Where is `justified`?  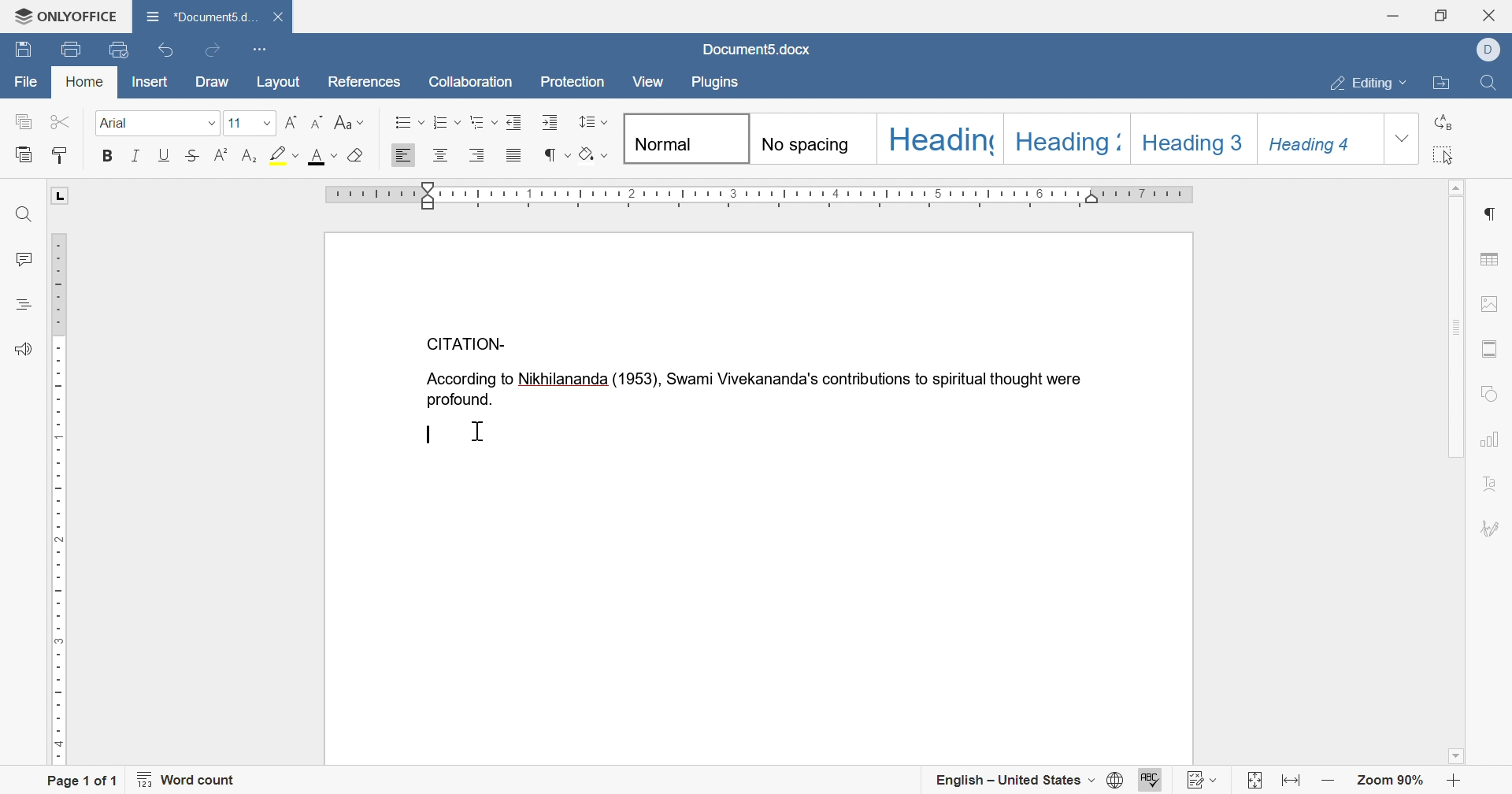
justified is located at coordinates (513, 154).